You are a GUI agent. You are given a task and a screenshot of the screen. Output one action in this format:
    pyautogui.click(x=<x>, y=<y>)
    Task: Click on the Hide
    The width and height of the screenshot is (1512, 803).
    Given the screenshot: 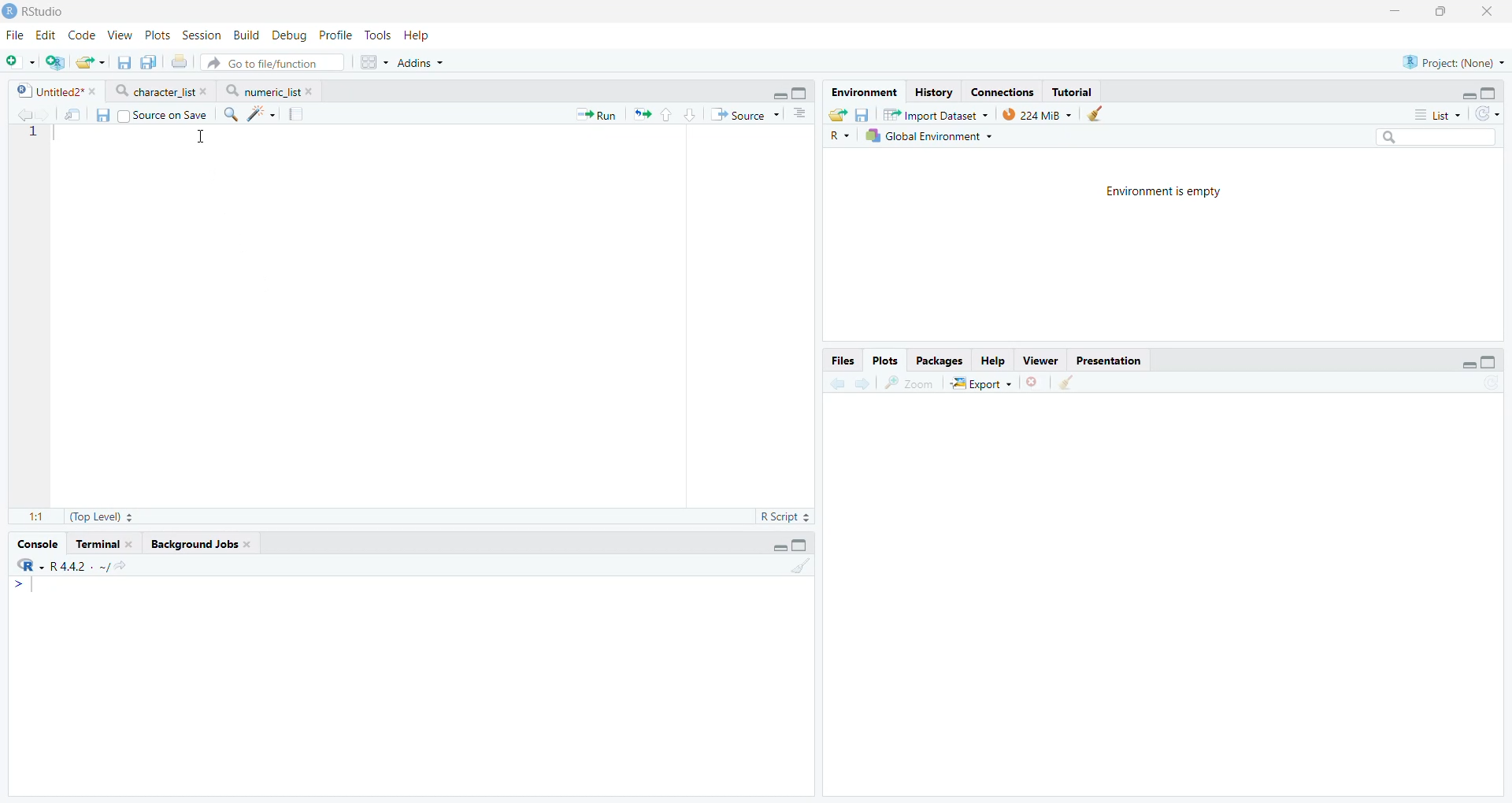 What is the action you would take?
    pyautogui.click(x=1469, y=364)
    